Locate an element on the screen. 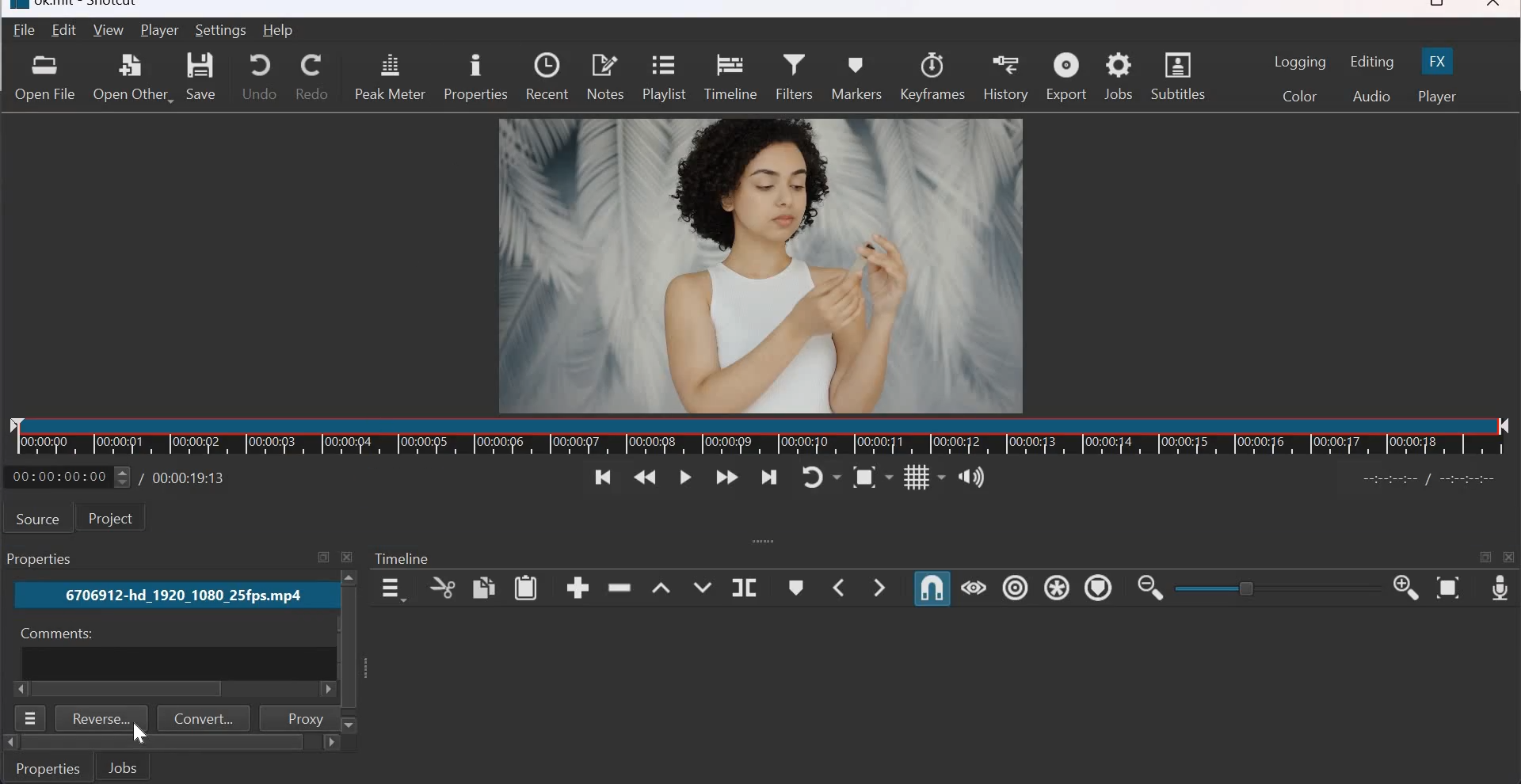 This screenshot has height=784, width=1521. Peak meter is located at coordinates (390, 77).